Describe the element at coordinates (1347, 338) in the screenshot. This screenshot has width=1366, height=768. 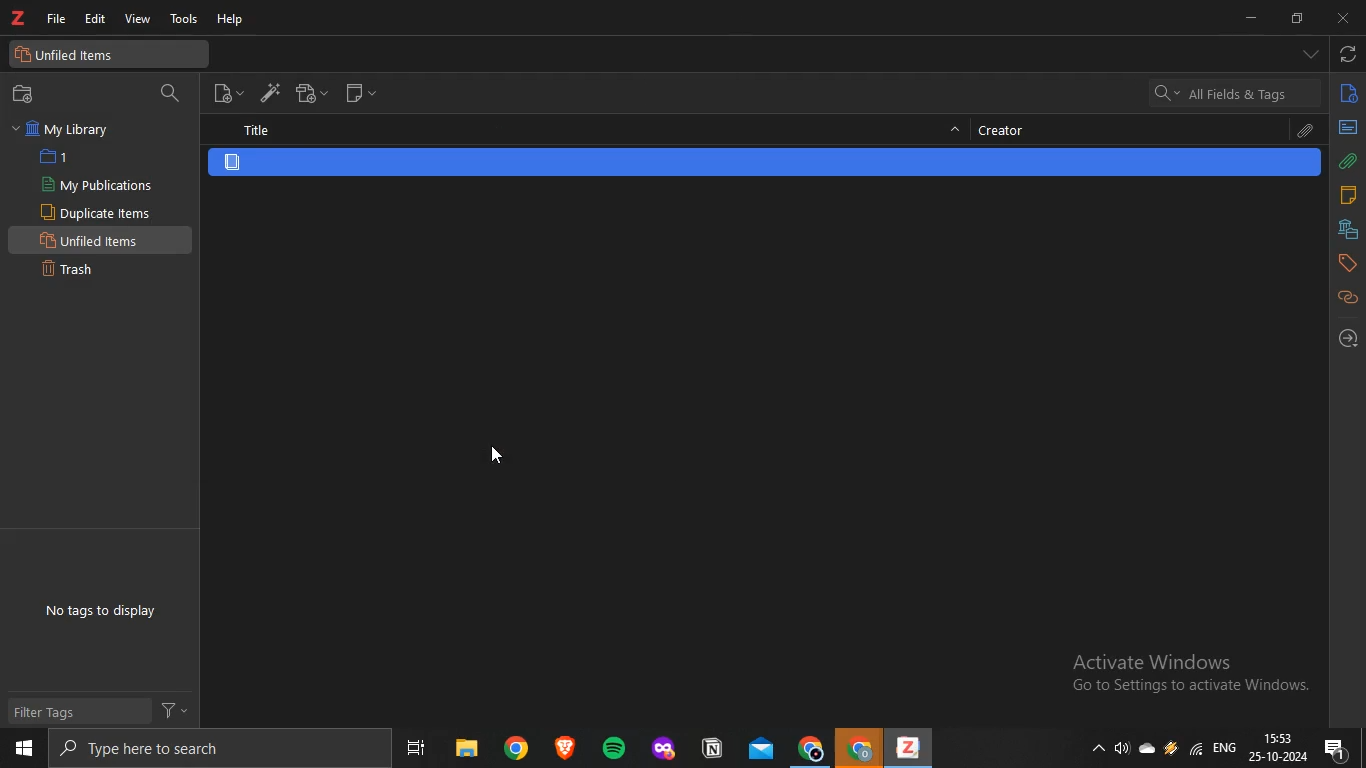
I see `locate` at that location.